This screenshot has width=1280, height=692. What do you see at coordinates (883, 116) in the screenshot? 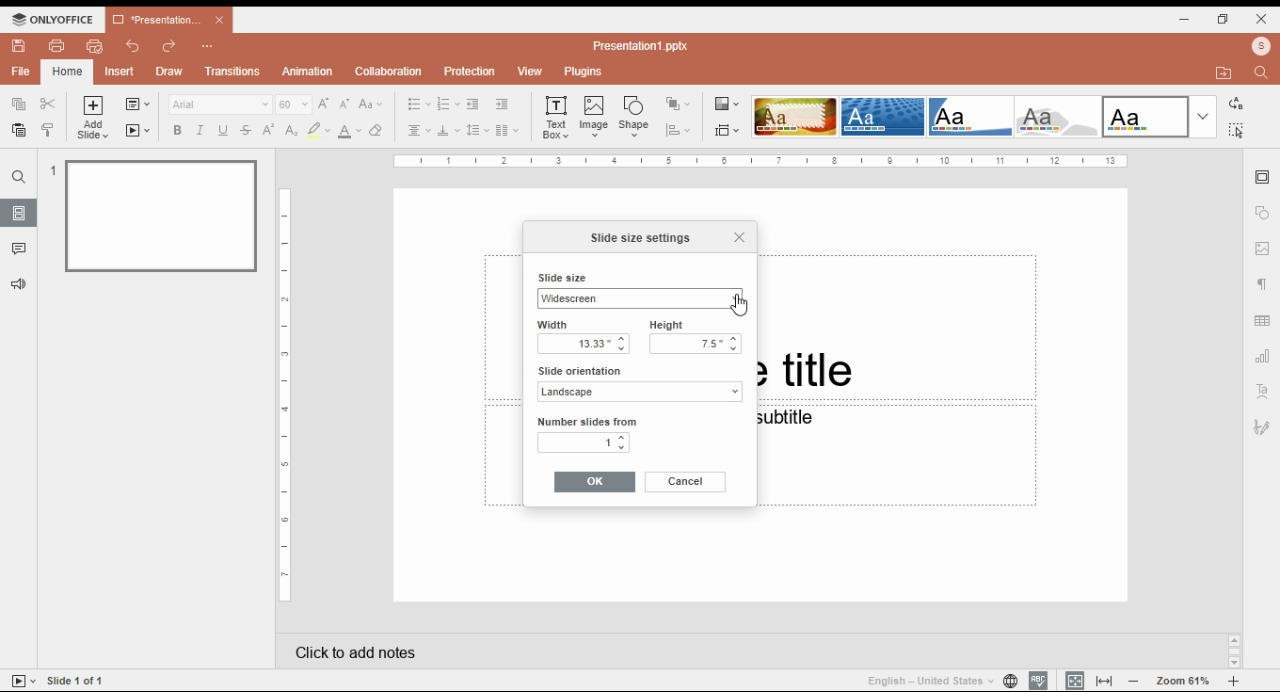
I see `slide them option` at bounding box center [883, 116].